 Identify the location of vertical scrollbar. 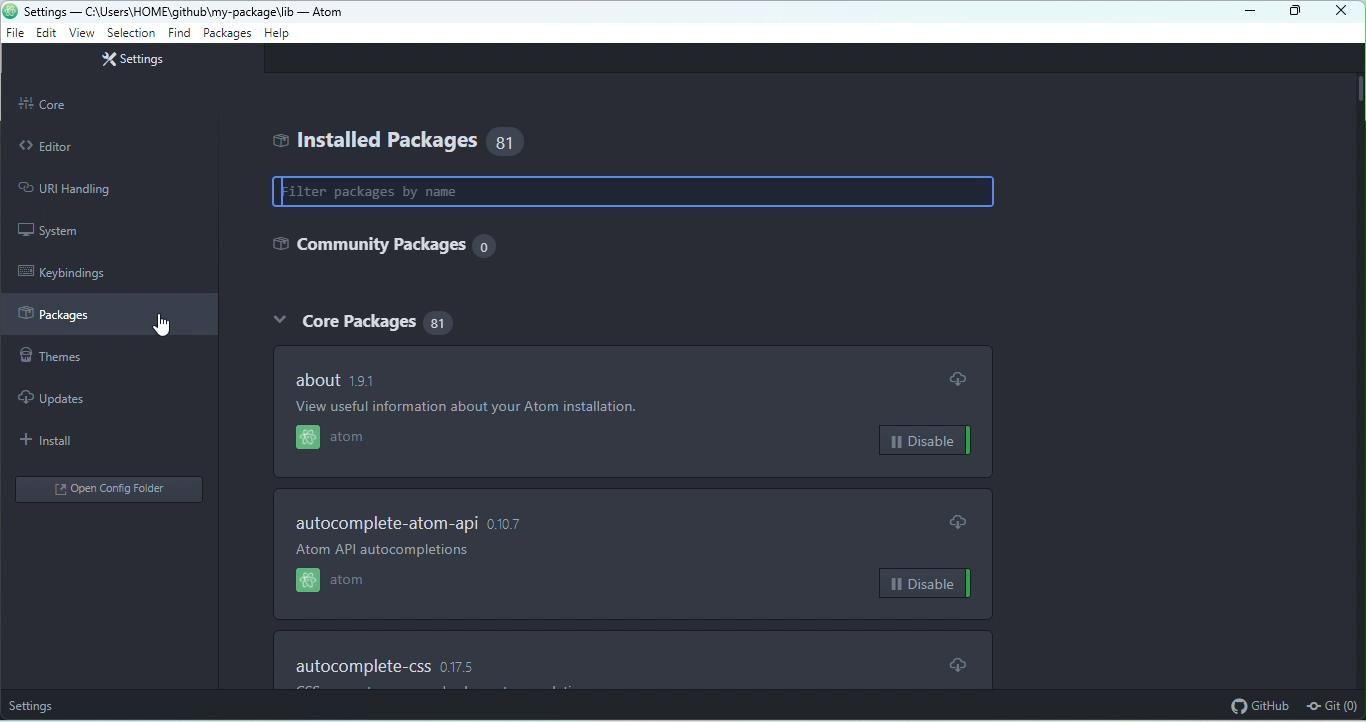
(1357, 90).